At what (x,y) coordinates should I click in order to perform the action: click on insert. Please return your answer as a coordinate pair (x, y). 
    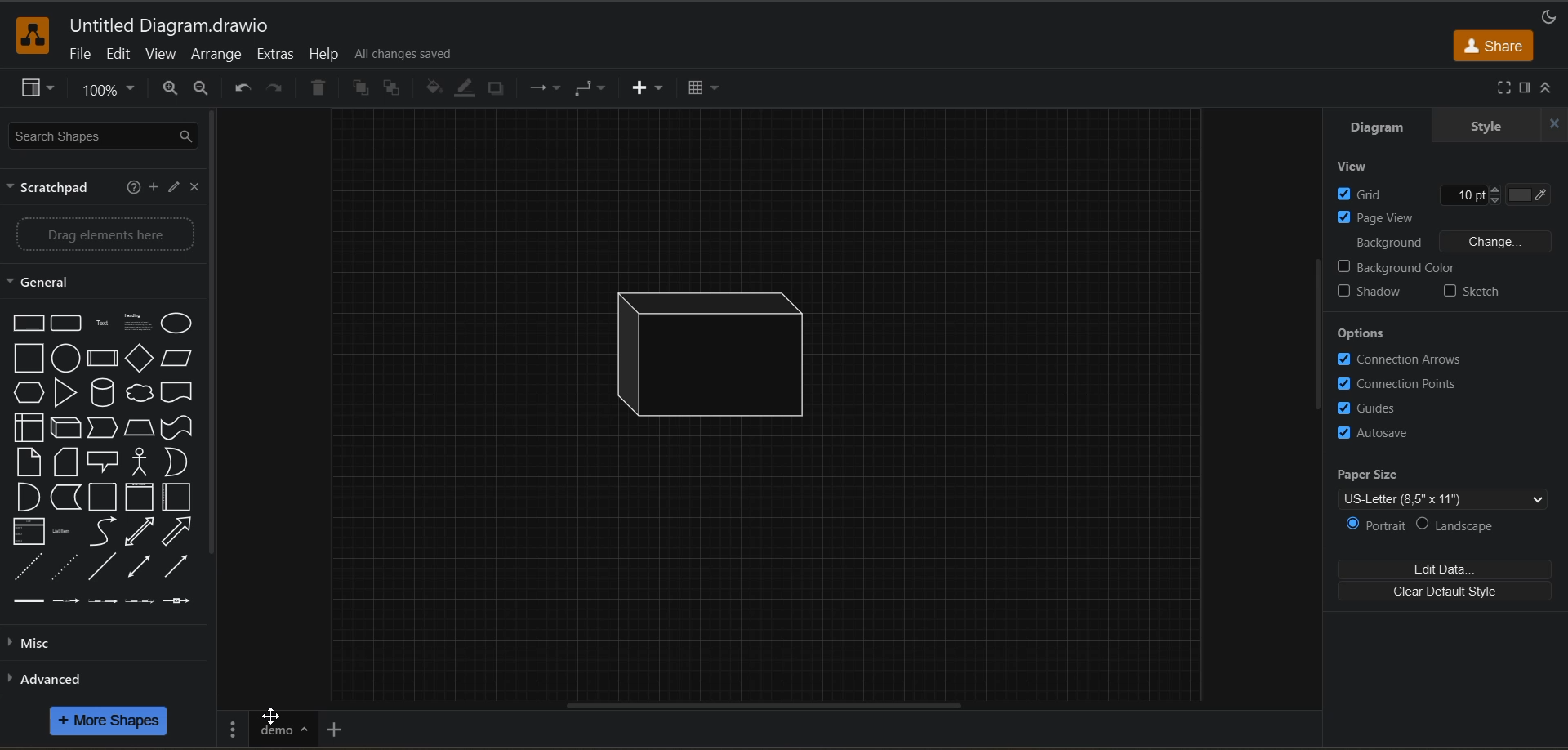
    Looking at the image, I should click on (650, 88).